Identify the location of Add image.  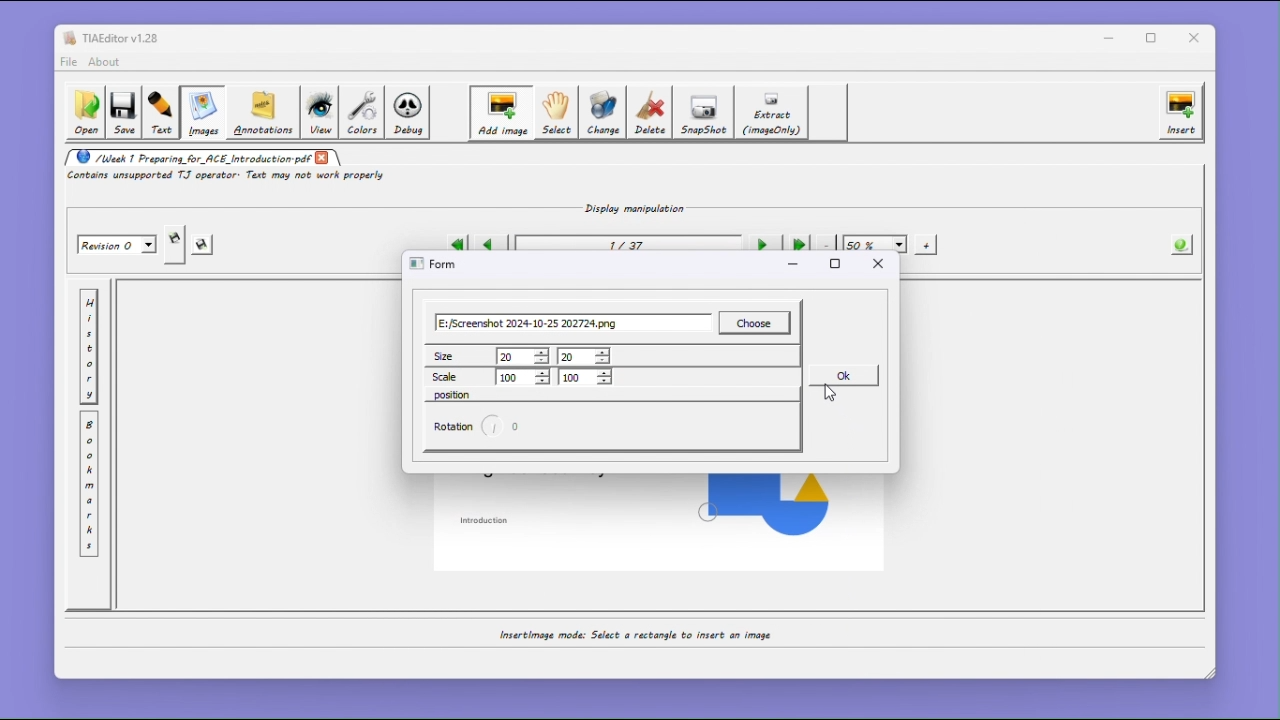
(500, 113).